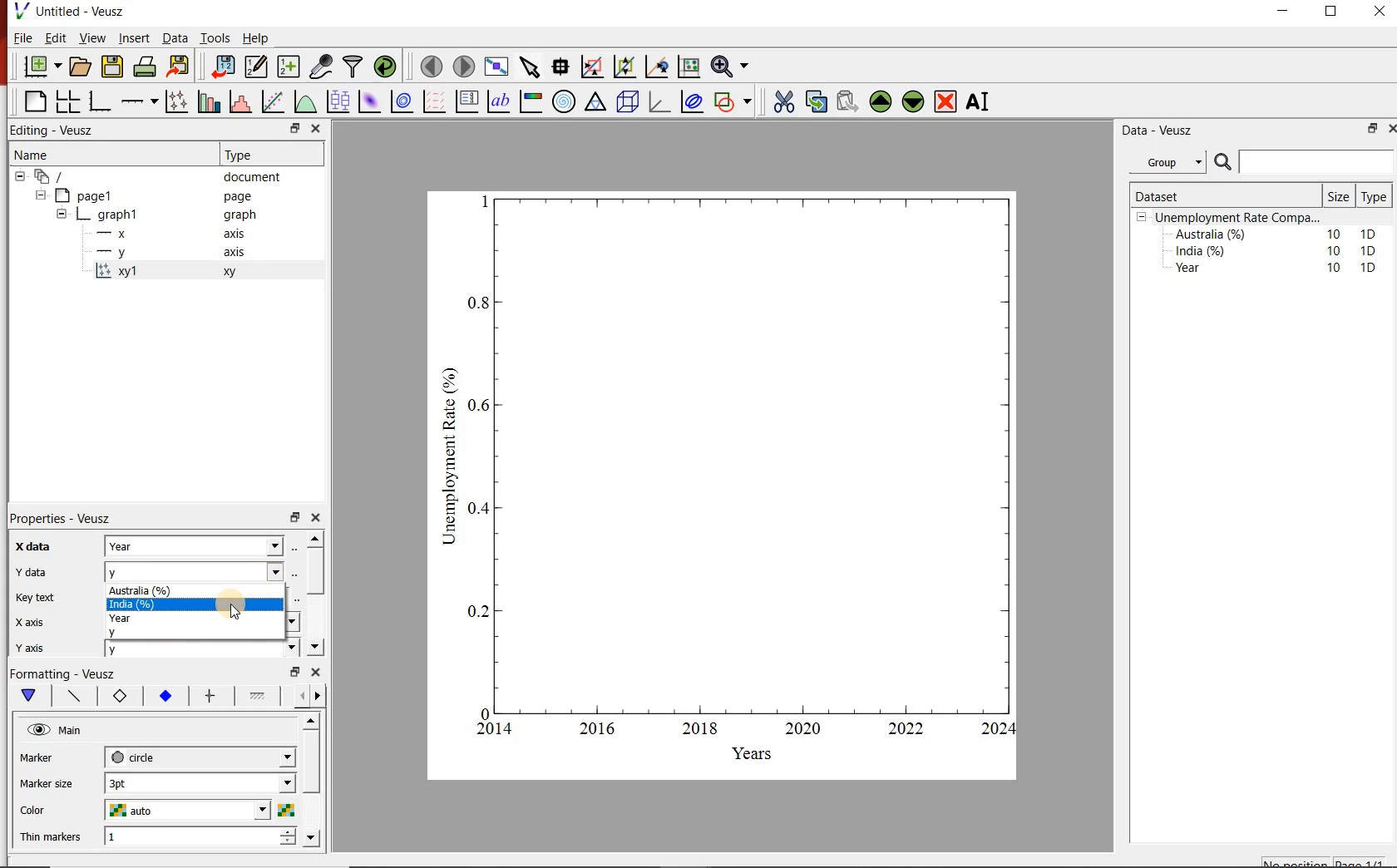 The image size is (1397, 868). I want to click on Type, so click(260, 155).